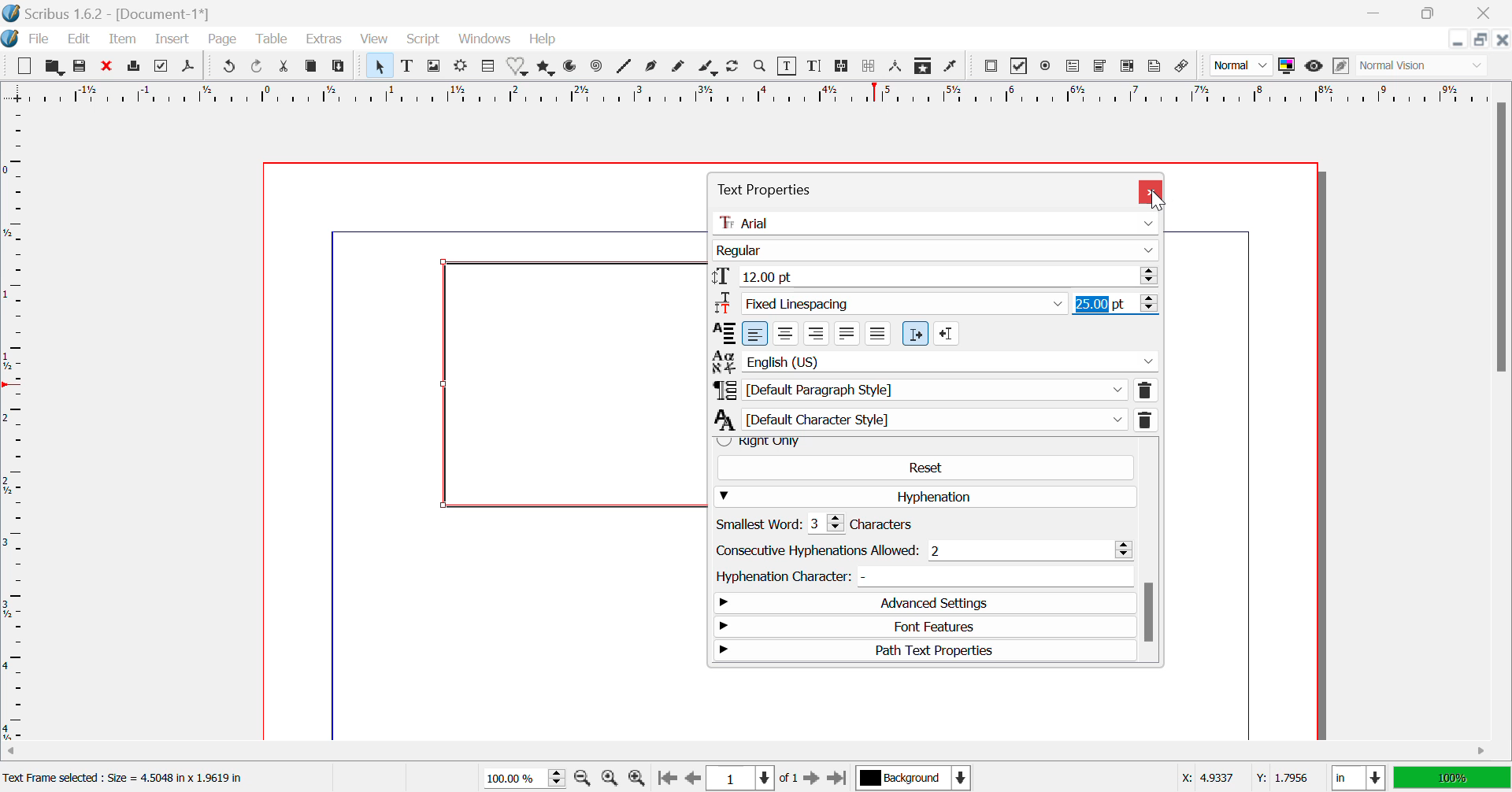  I want to click on 25.00 pt, so click(1117, 304).